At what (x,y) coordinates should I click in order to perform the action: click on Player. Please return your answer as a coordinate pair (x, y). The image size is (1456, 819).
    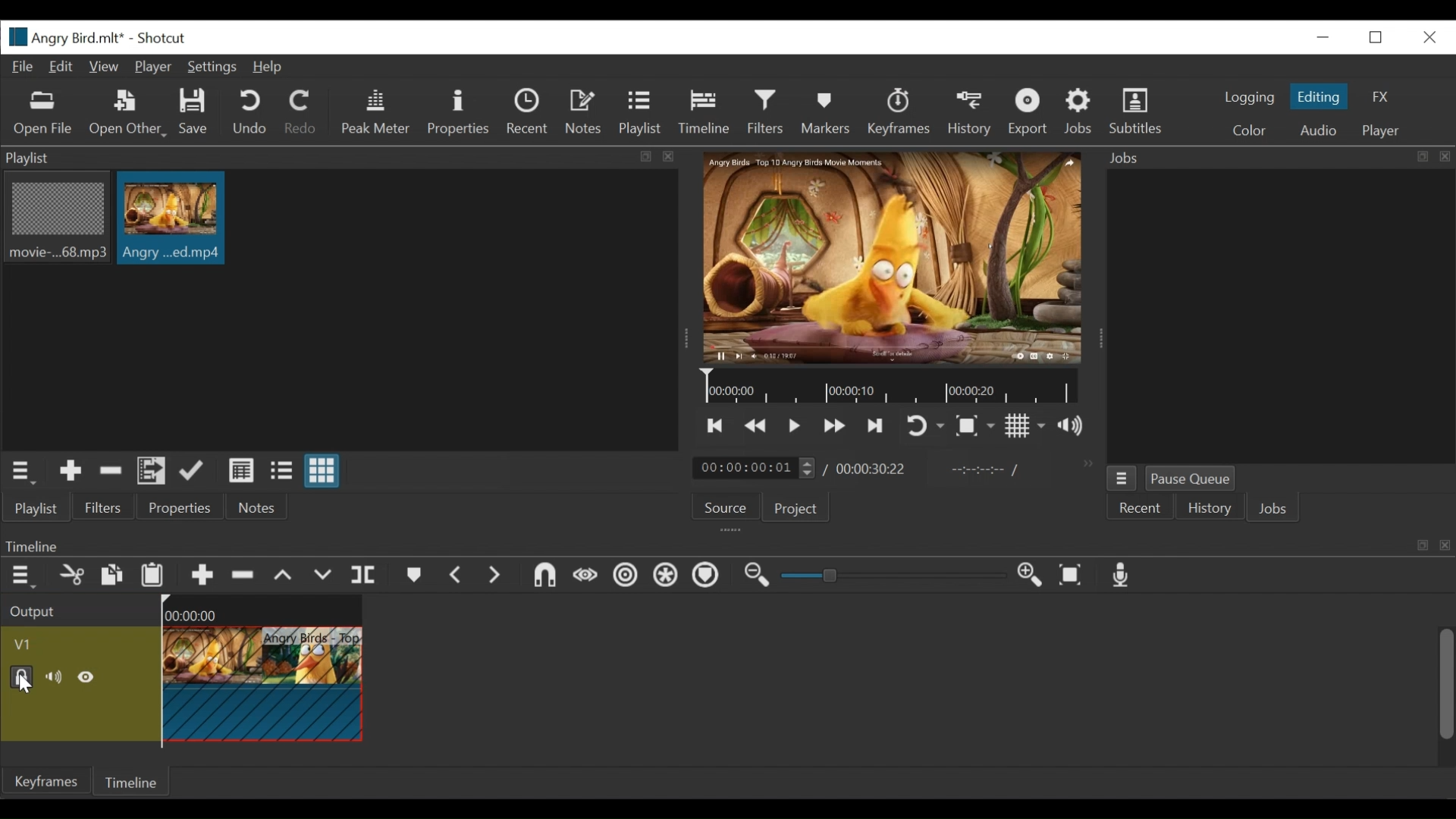
    Looking at the image, I should click on (1380, 132).